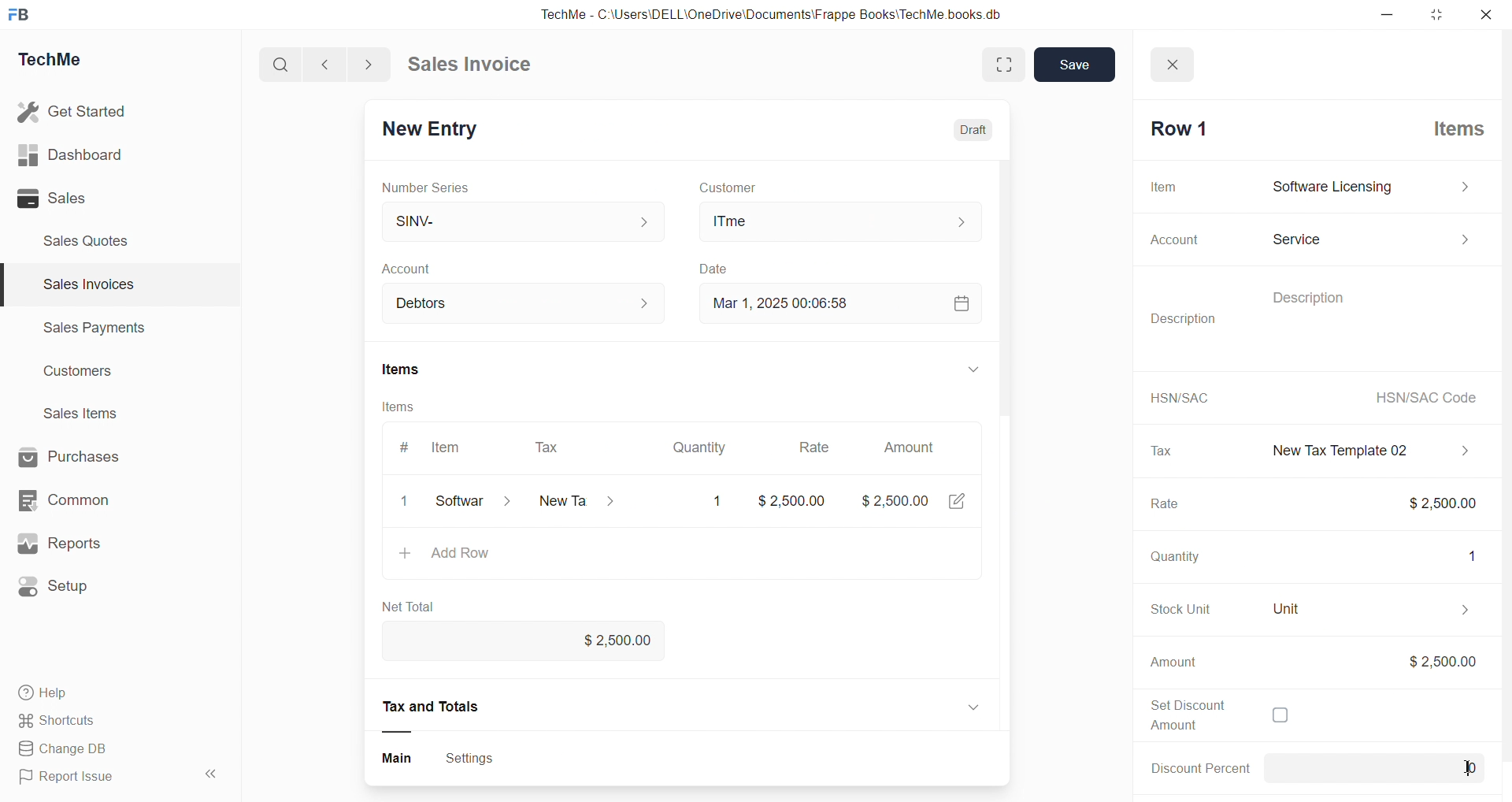 The image size is (1512, 802). Describe the element at coordinates (1362, 609) in the screenshot. I see `Unit` at that location.